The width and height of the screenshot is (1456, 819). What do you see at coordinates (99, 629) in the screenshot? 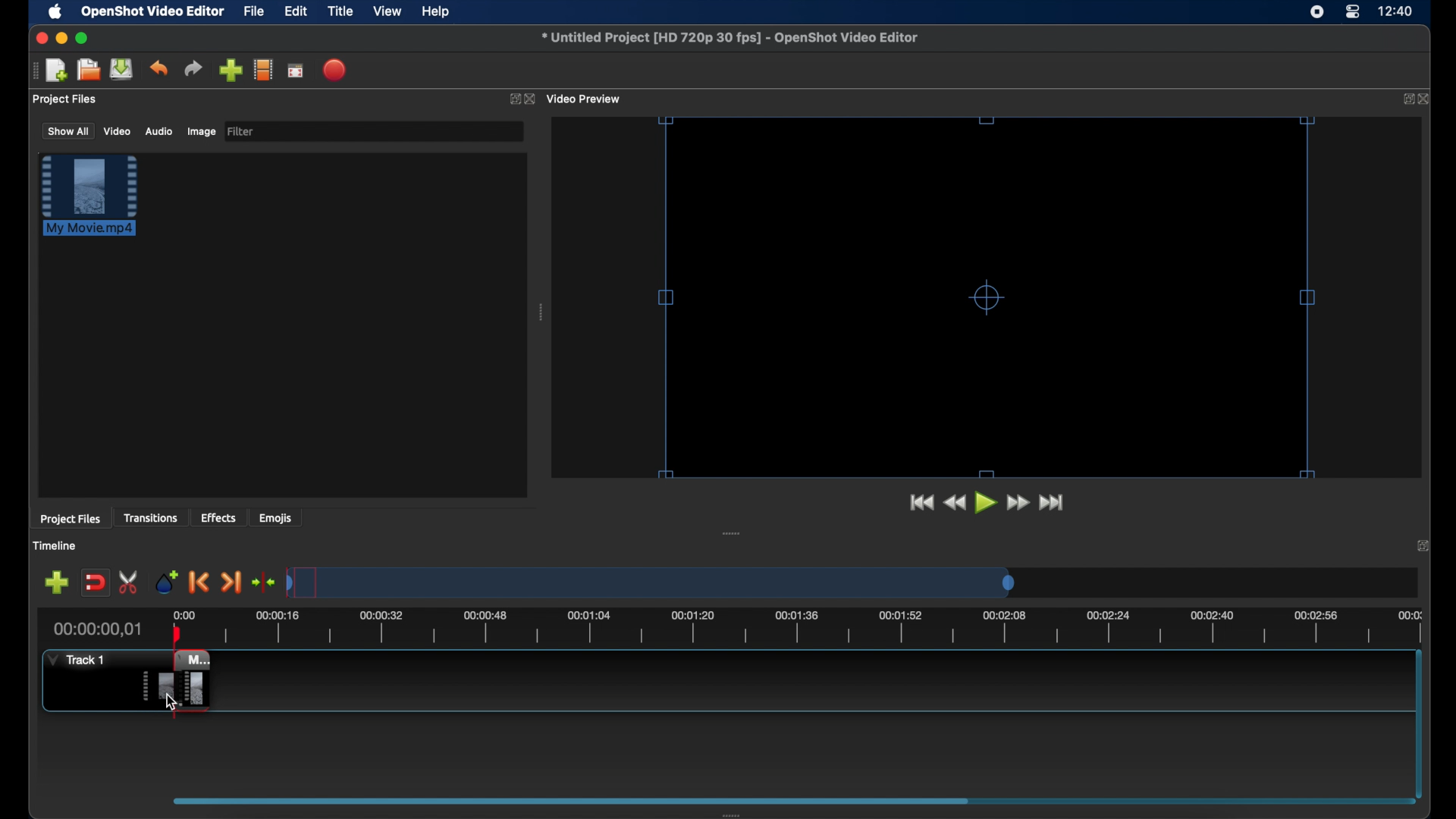
I see `current time indicator` at bounding box center [99, 629].